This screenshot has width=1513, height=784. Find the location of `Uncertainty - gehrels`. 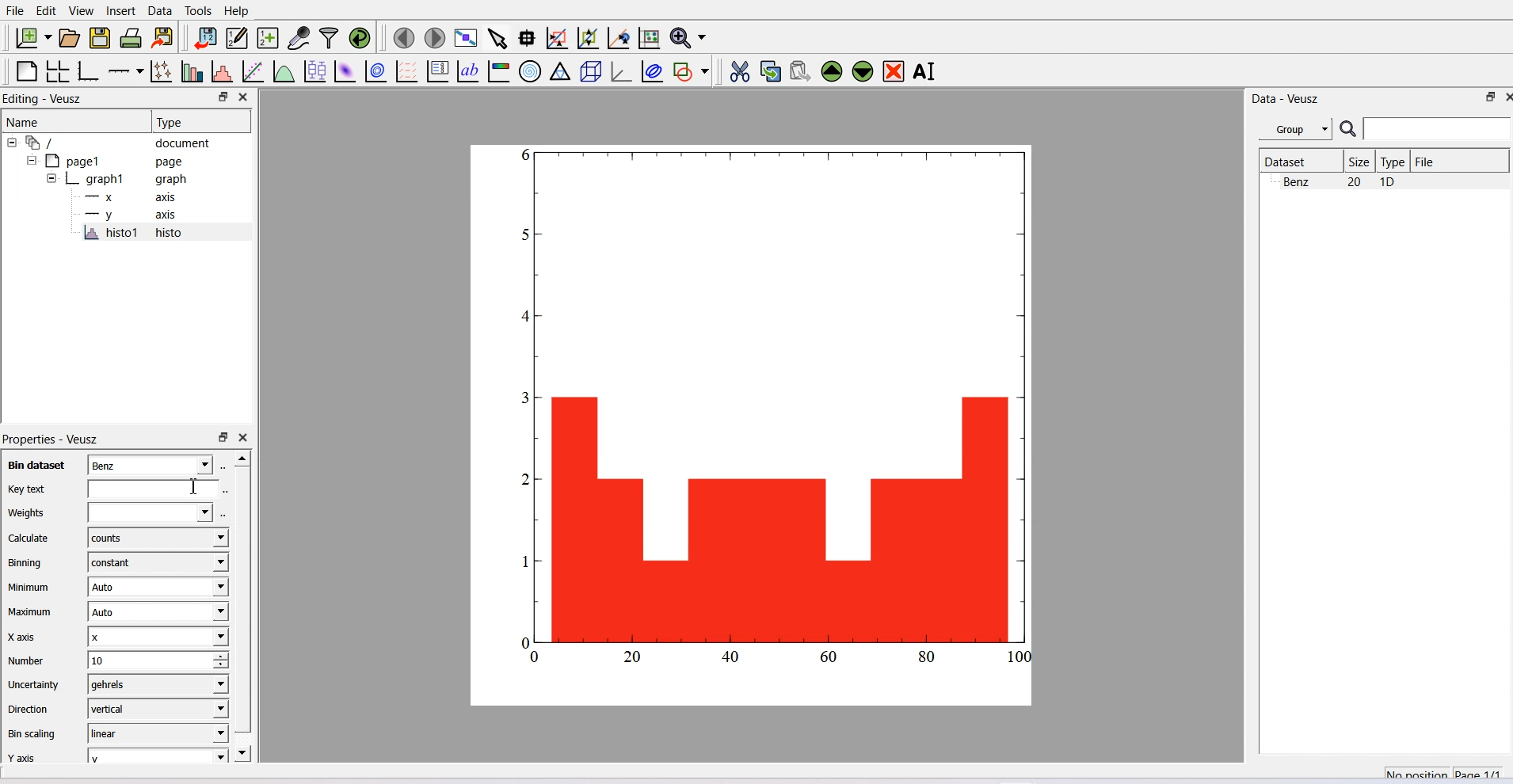

Uncertainty - gehrels is located at coordinates (114, 683).